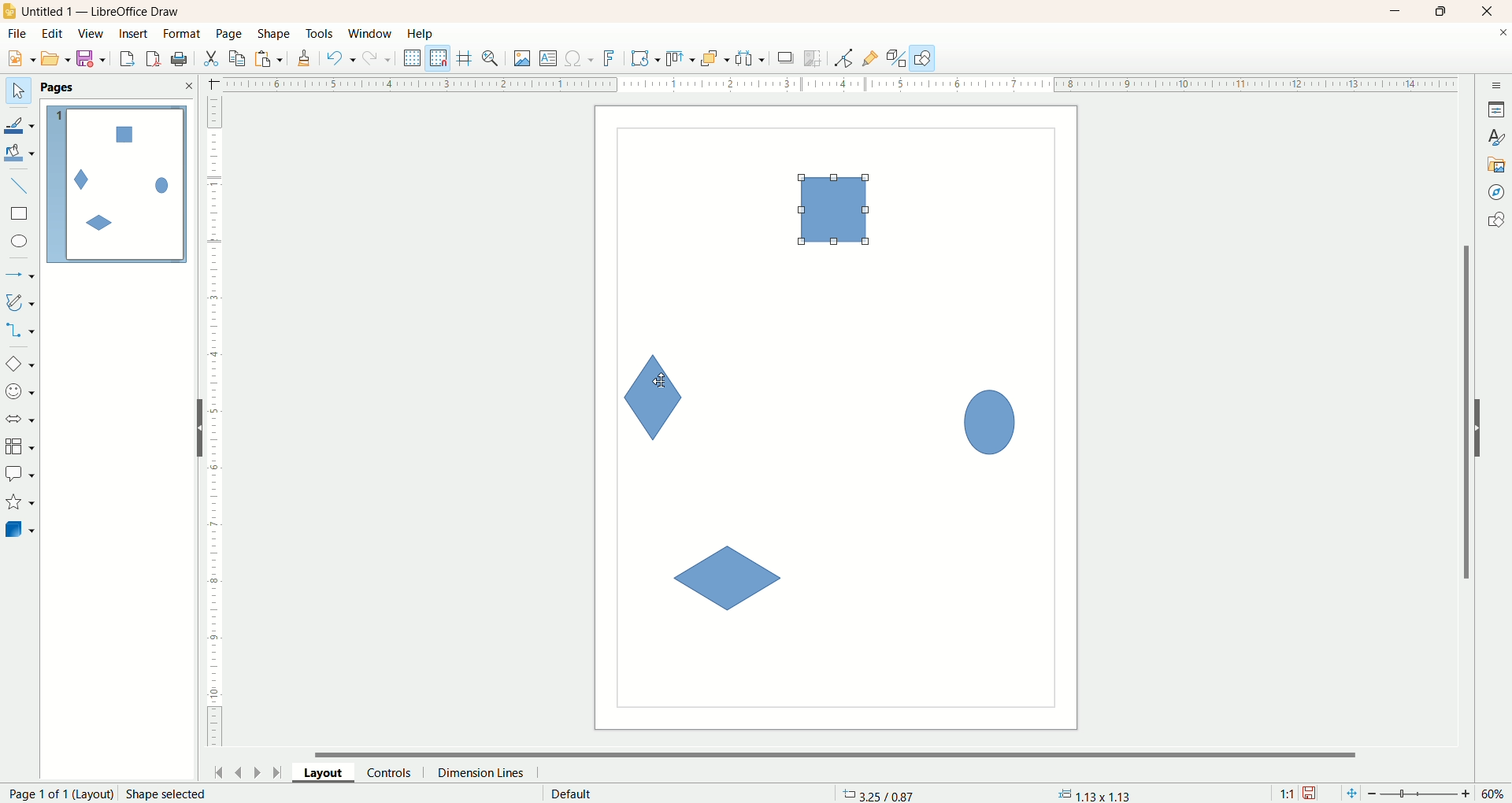 The width and height of the screenshot is (1512, 803). Describe the element at coordinates (21, 302) in the screenshot. I see `curves and polygon` at that location.